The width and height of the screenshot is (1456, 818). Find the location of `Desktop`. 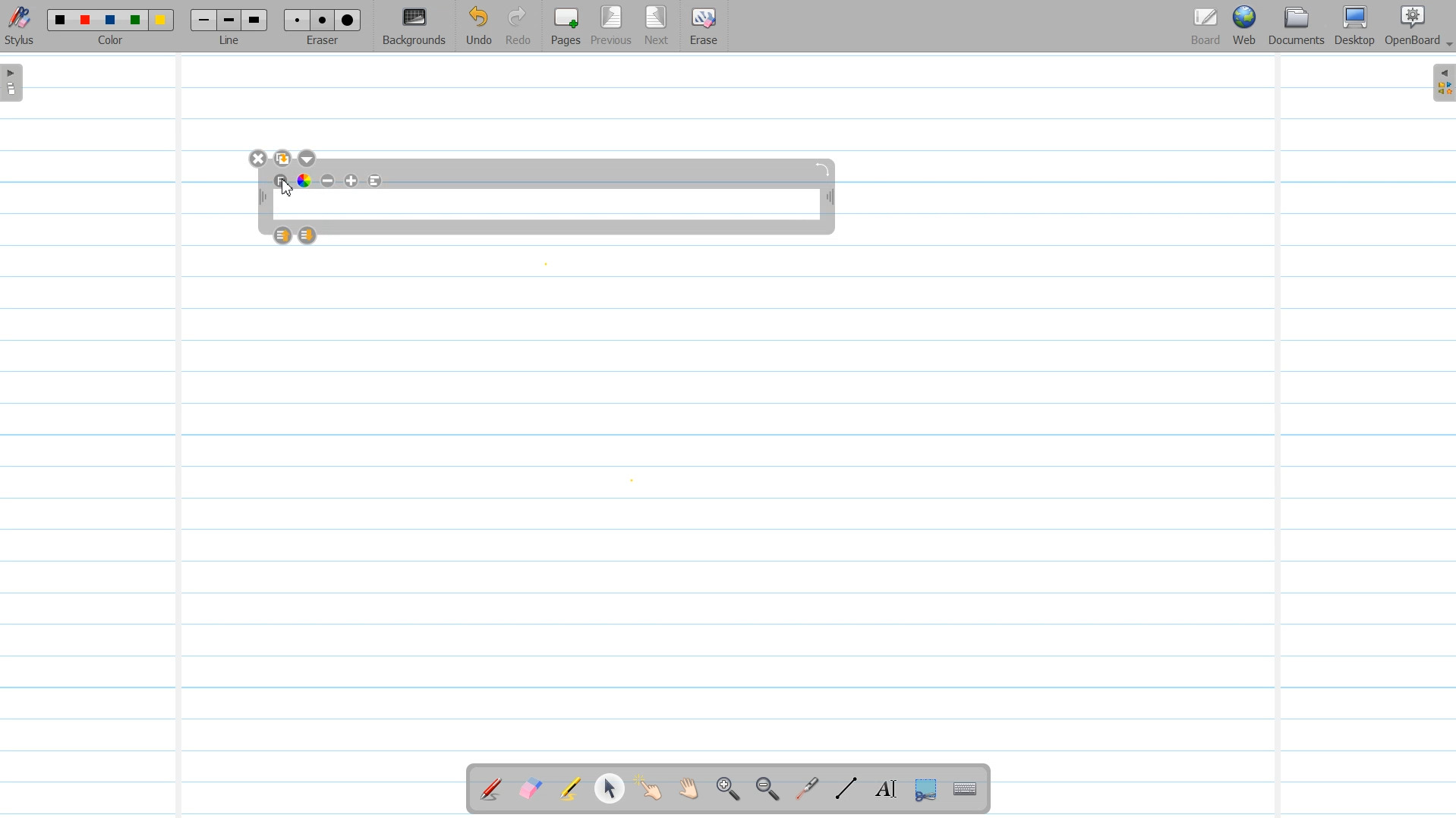

Desktop is located at coordinates (1354, 27).